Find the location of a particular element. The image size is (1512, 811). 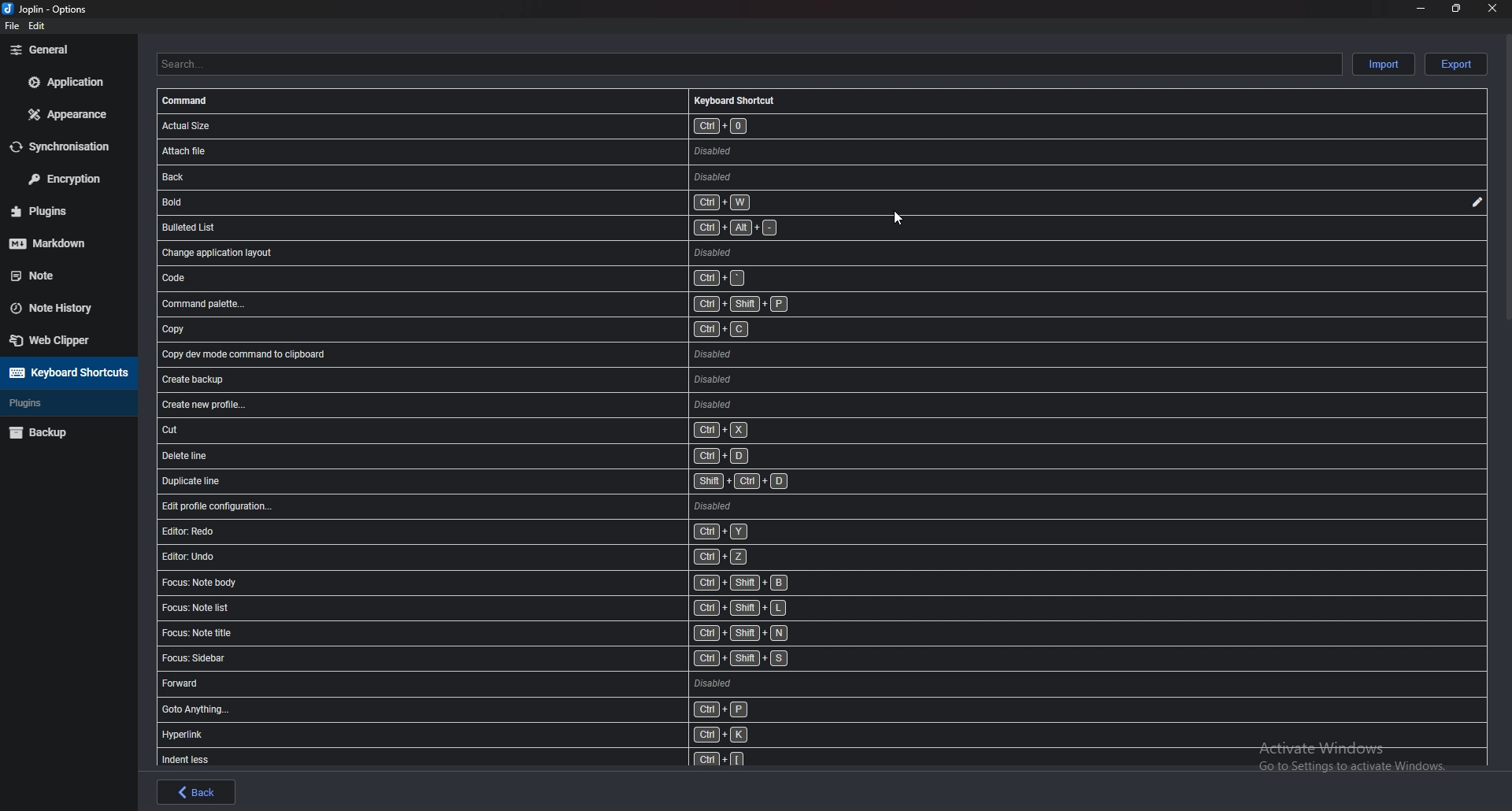

scroll bar is located at coordinates (1506, 178).